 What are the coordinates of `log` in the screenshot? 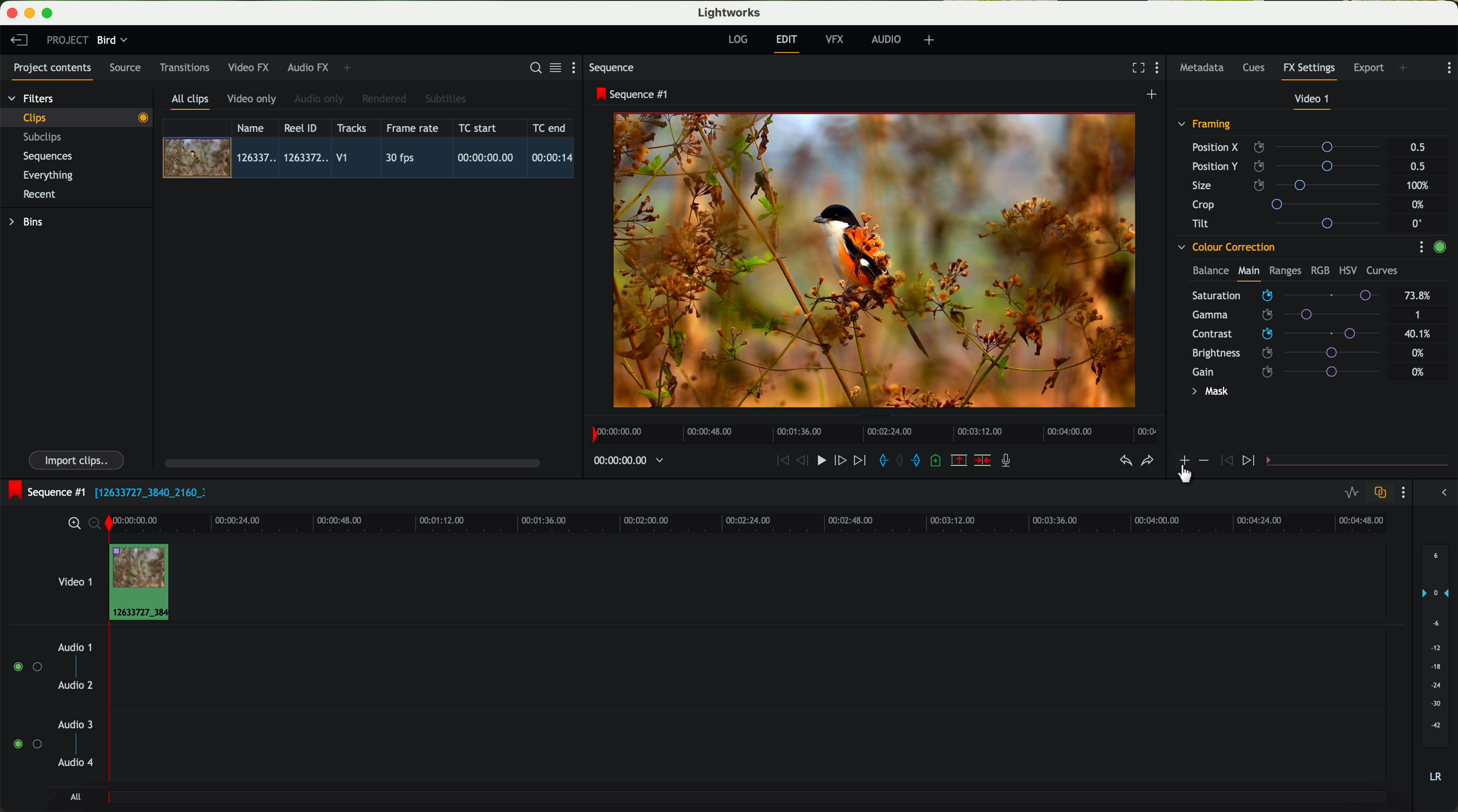 It's located at (737, 40).